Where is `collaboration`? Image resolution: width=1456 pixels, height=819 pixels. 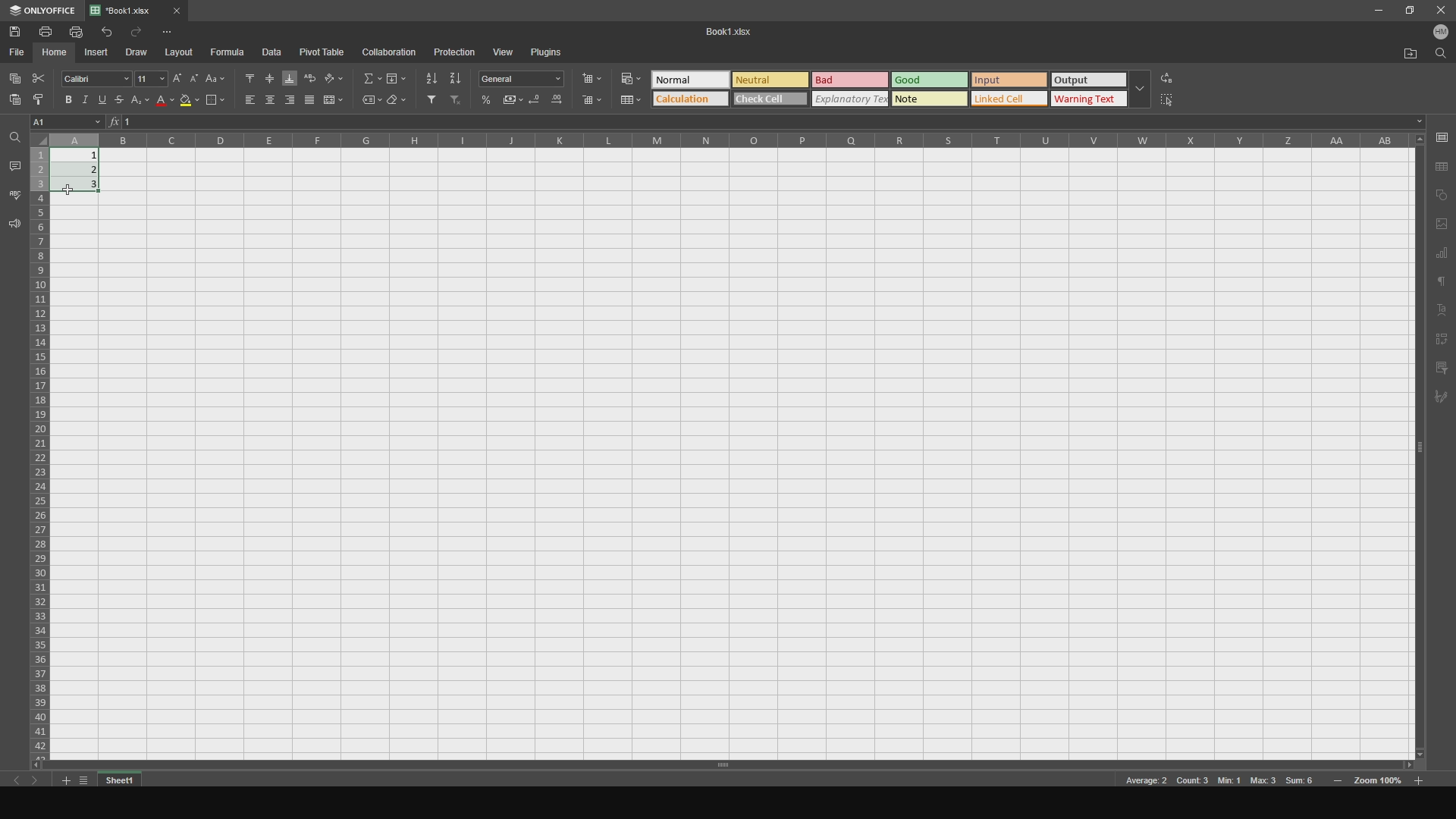 collaboration is located at coordinates (391, 52).